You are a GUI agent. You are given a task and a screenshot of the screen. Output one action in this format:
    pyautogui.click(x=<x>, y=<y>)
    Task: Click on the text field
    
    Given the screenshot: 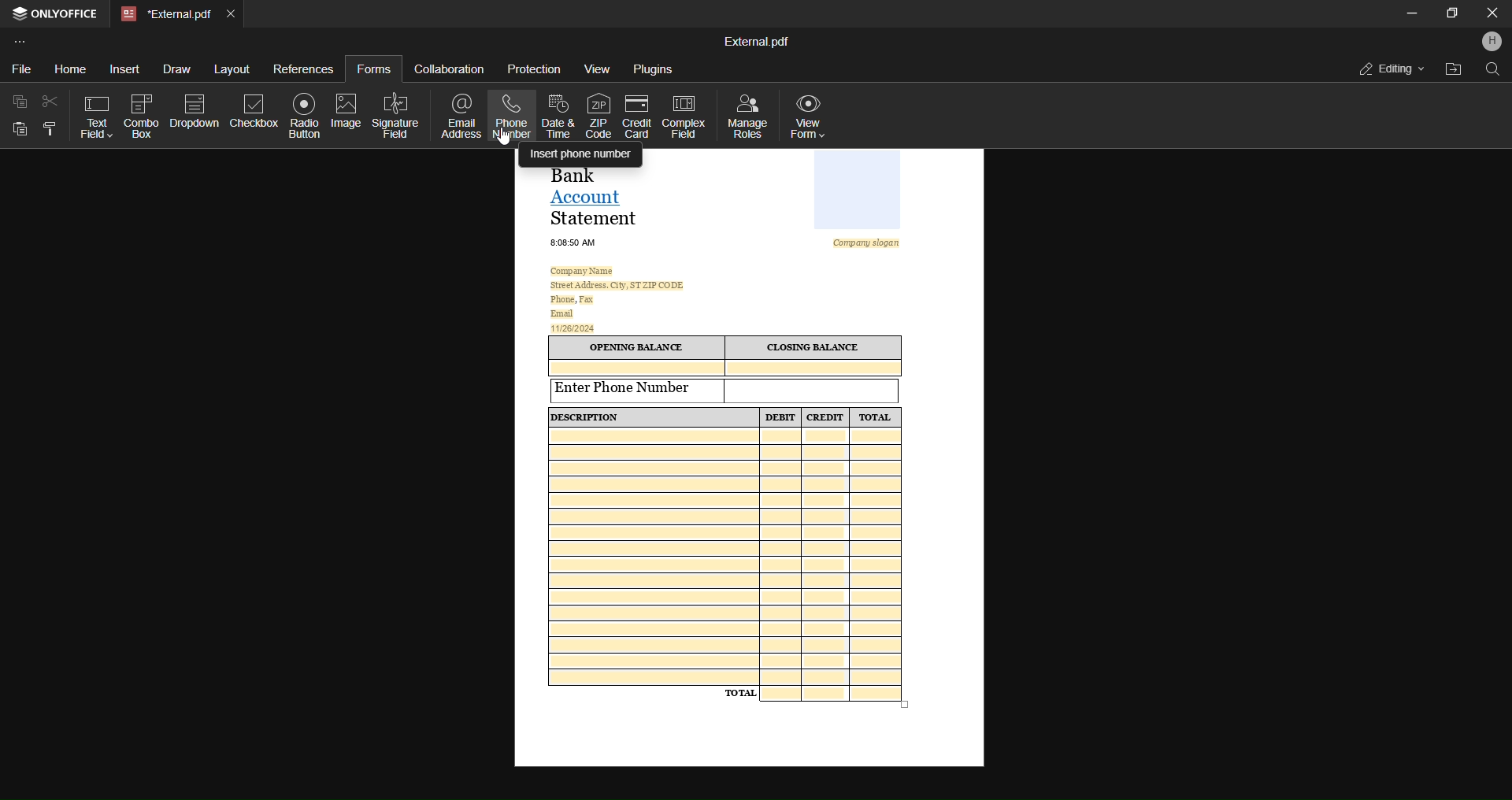 What is the action you would take?
    pyautogui.click(x=91, y=115)
    